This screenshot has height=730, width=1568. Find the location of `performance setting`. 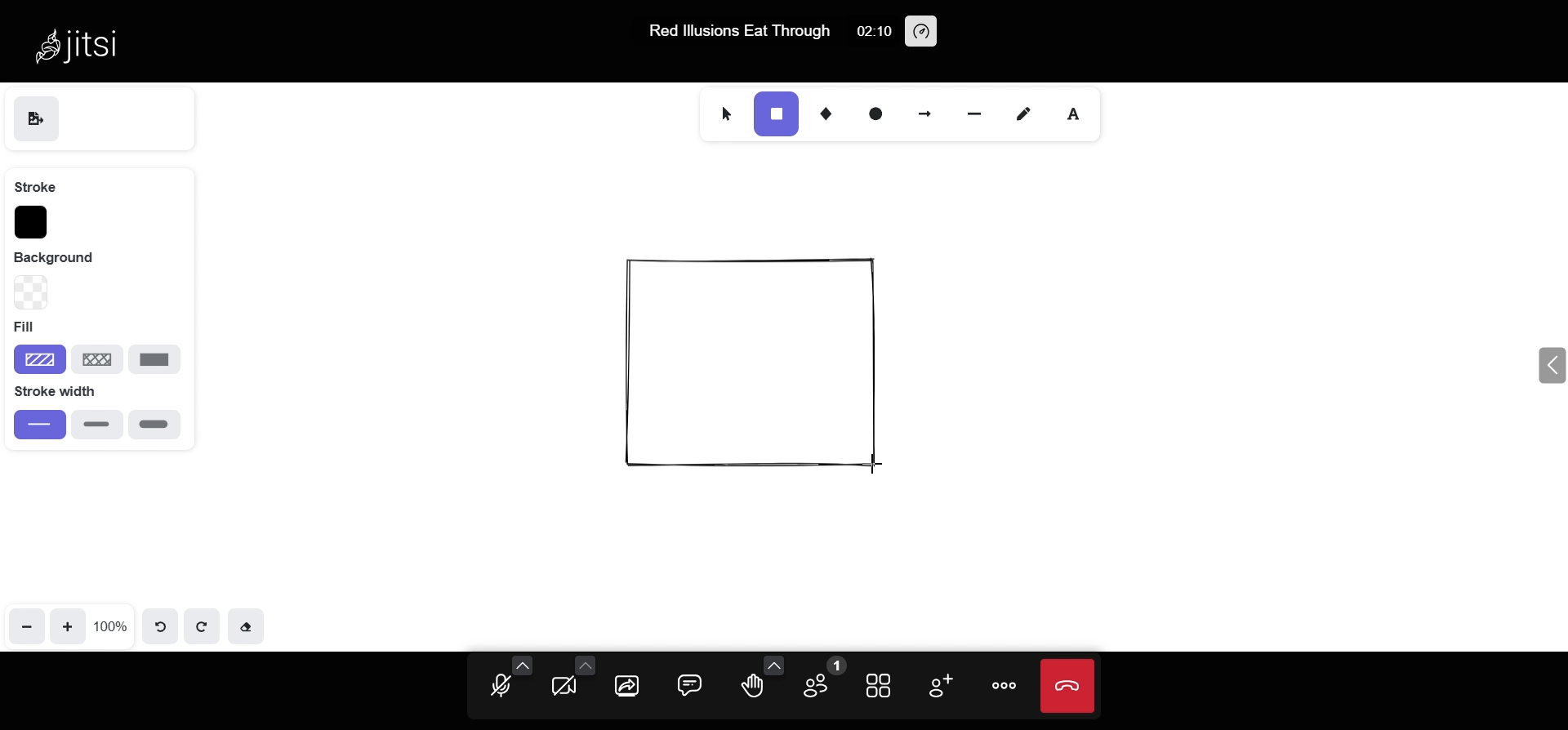

performance setting is located at coordinates (922, 31).